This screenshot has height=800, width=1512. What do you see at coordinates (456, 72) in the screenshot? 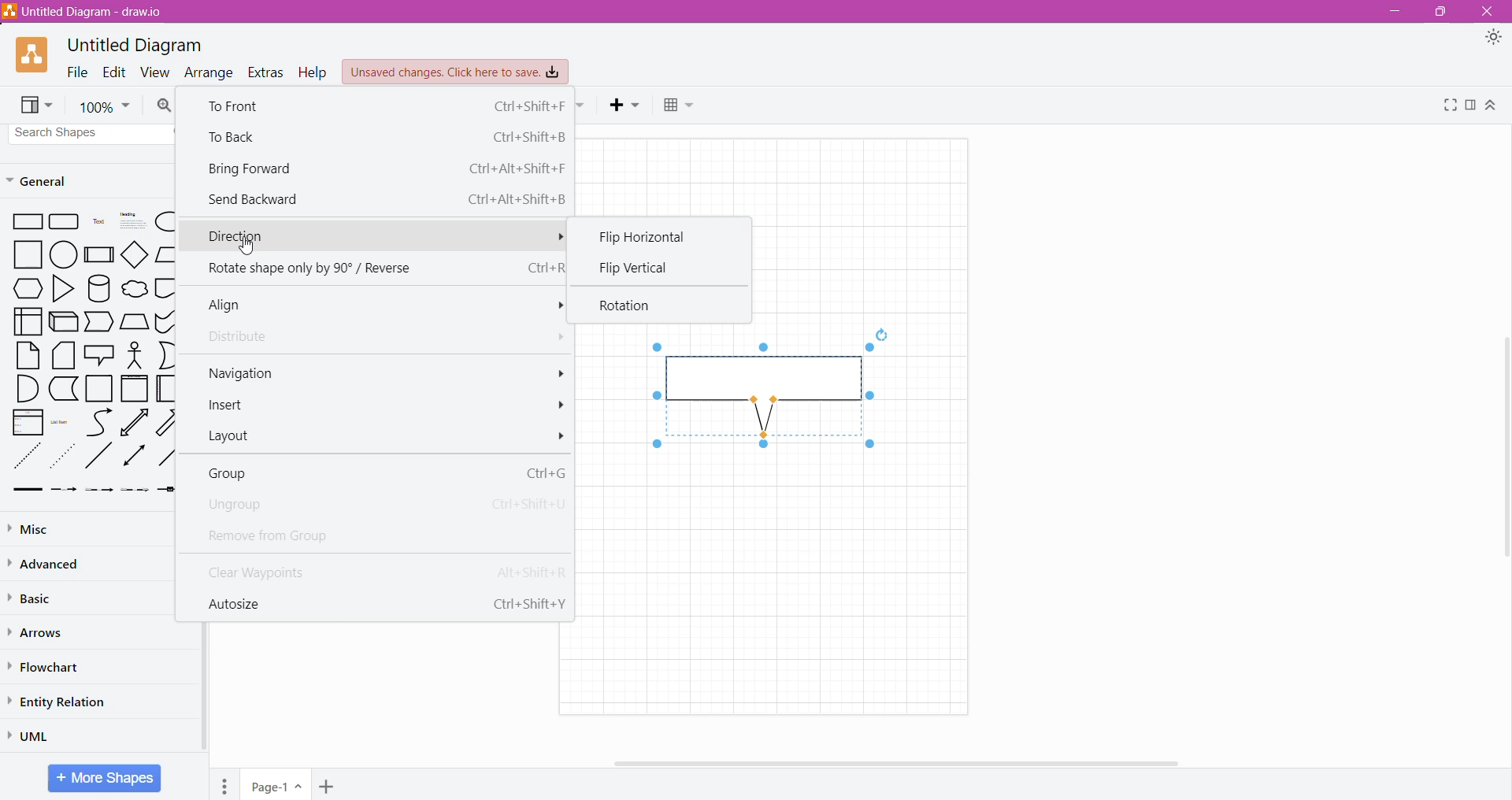
I see `Unsaved Changes. Click here to save` at bounding box center [456, 72].